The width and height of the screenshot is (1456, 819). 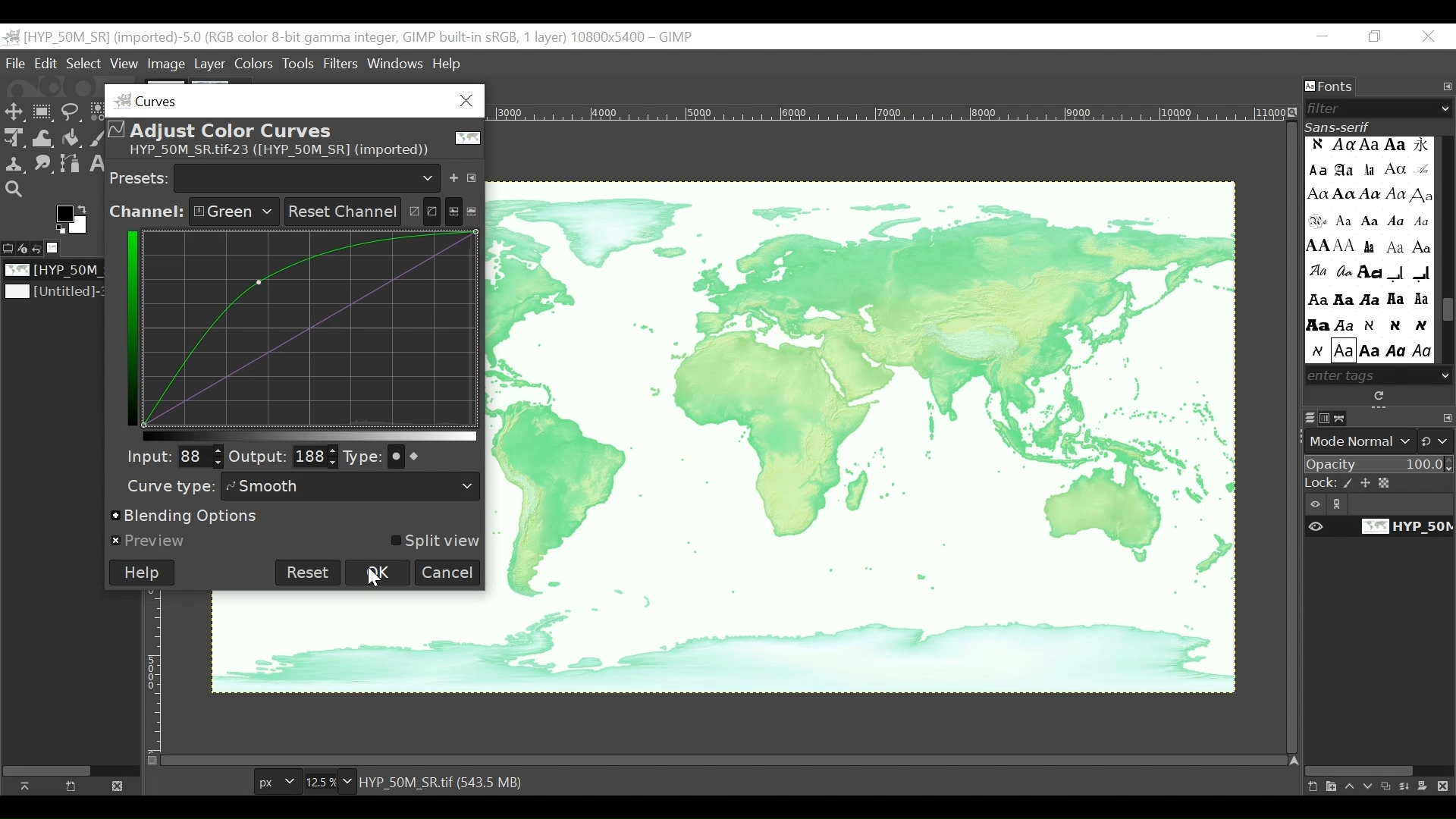 I want to click on Close, so click(x=1429, y=37).